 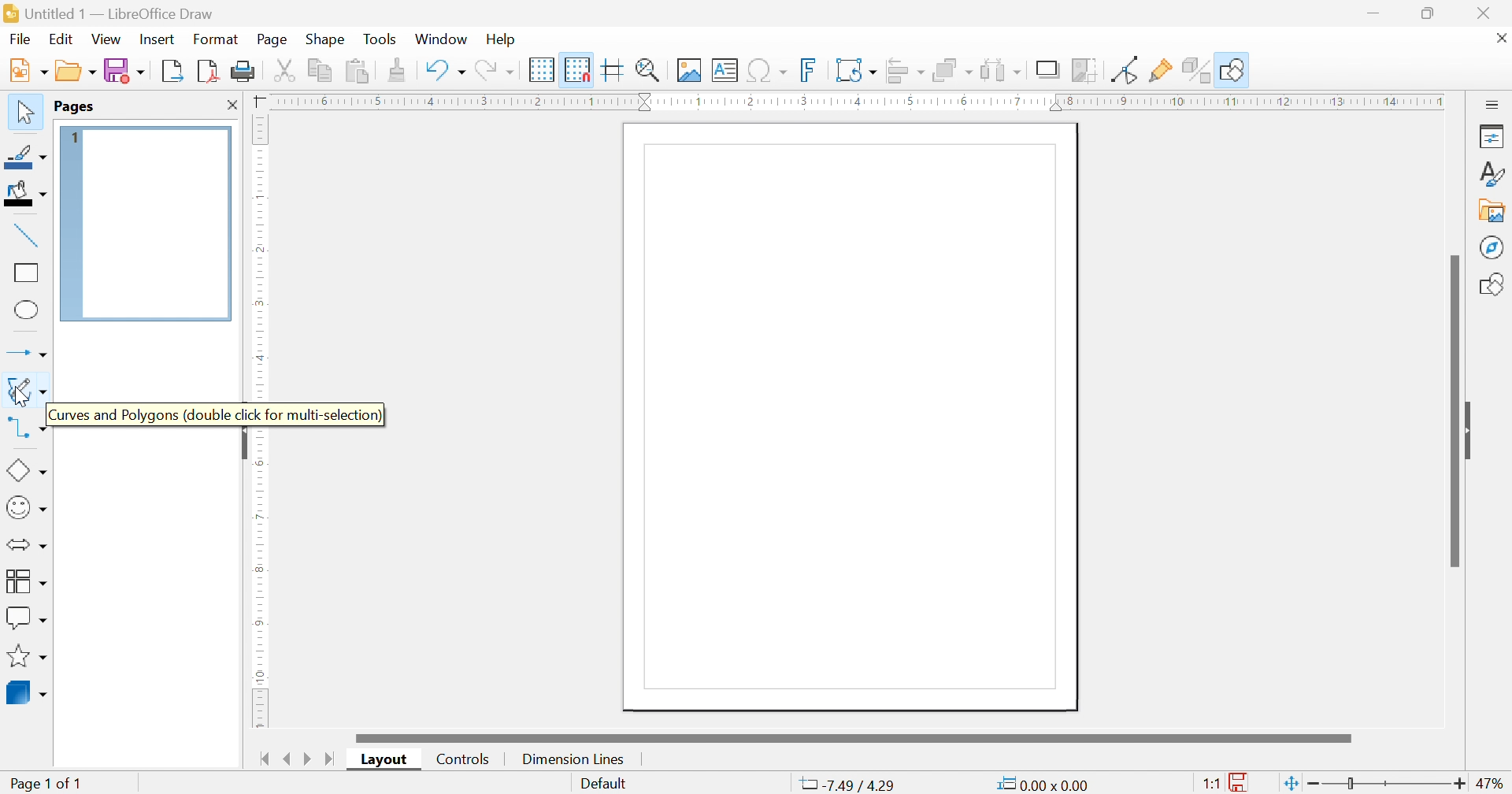 I want to click on save, so click(x=126, y=70).